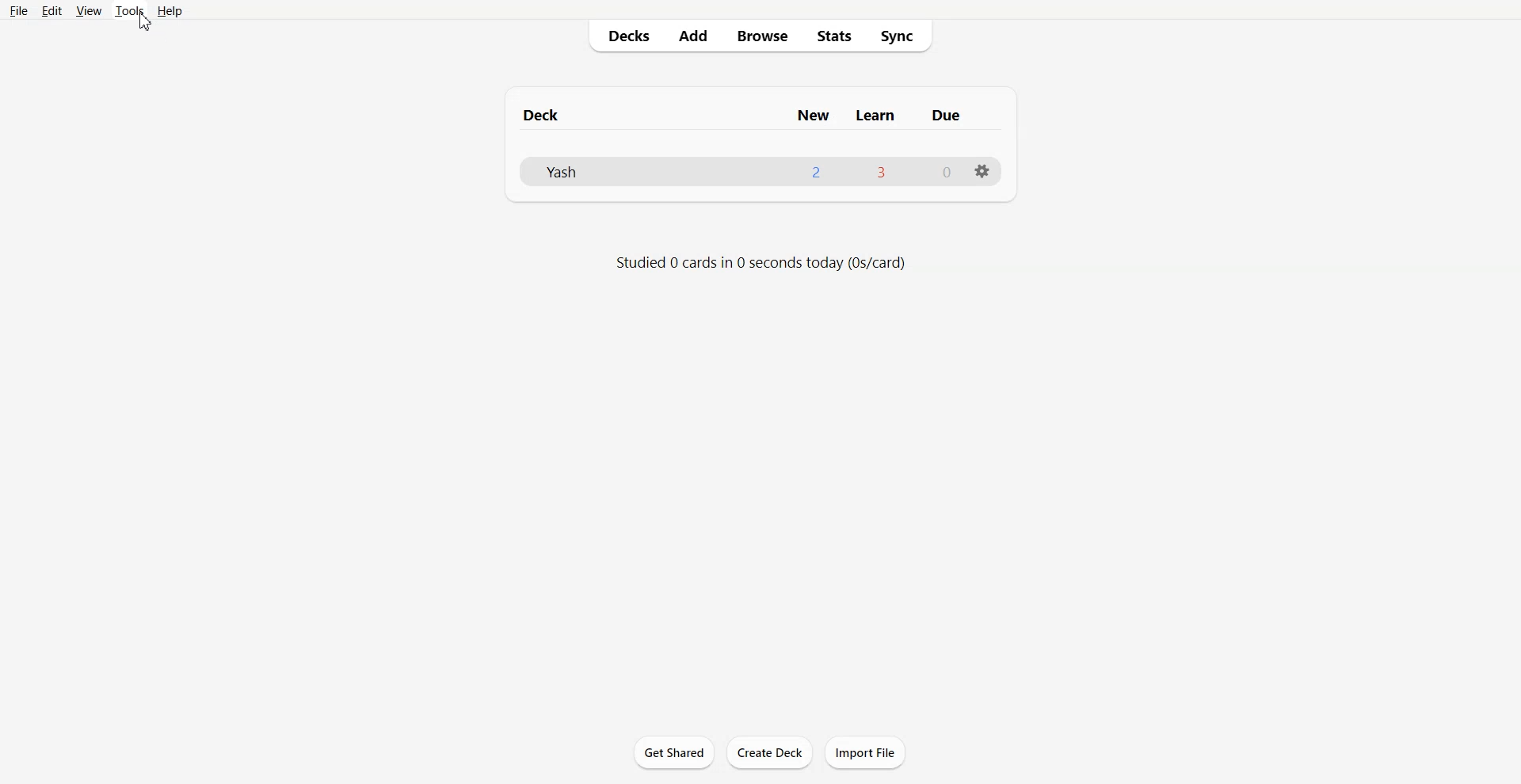 This screenshot has width=1521, height=784. Describe the element at coordinates (20, 10) in the screenshot. I see `File` at that location.